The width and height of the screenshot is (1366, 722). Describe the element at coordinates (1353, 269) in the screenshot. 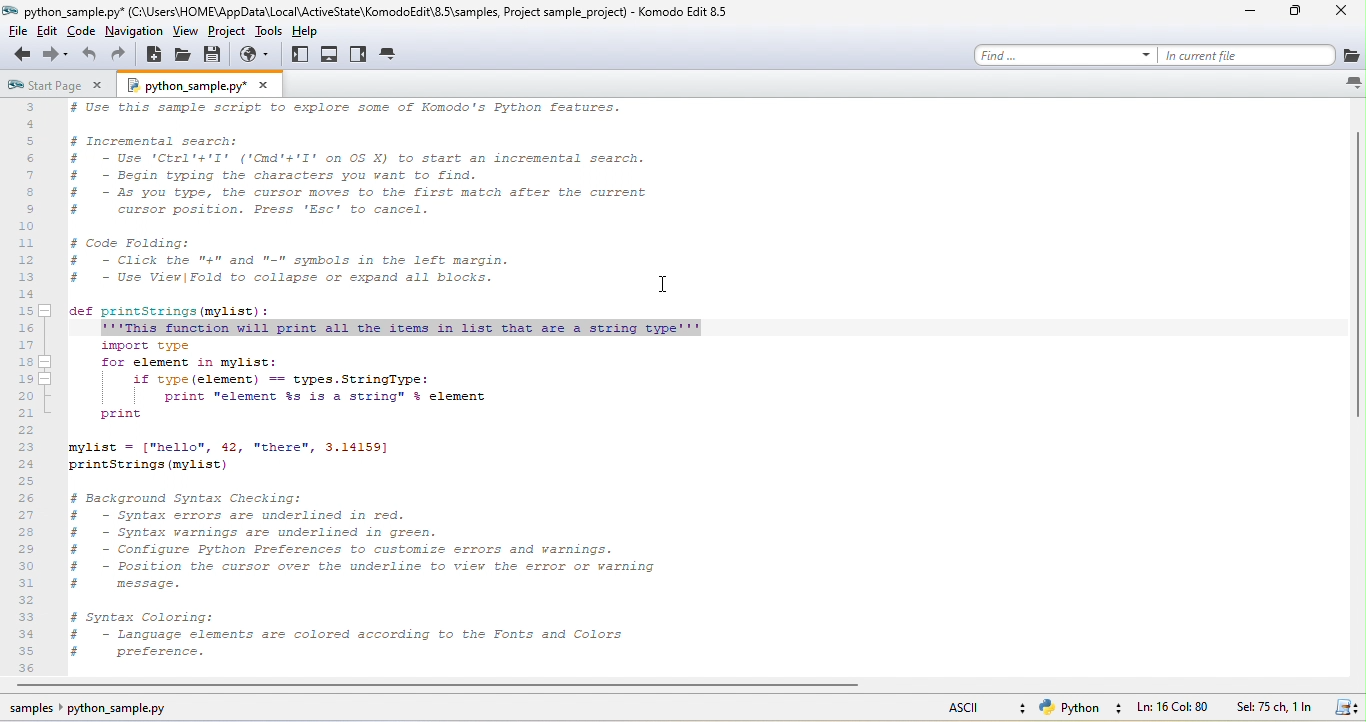

I see `vertical scroll bar` at that location.